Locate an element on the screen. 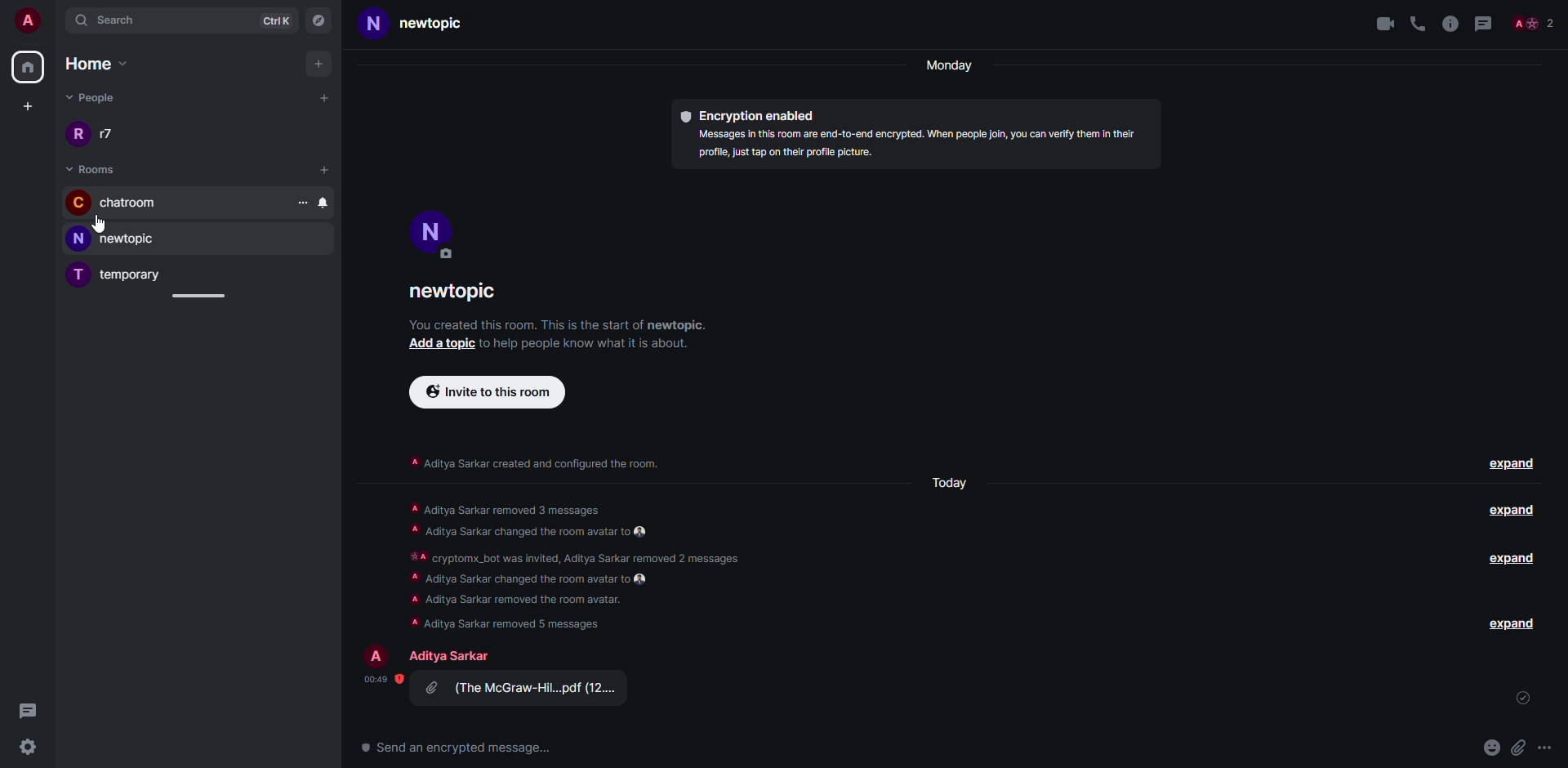 Image resolution: width=1568 pixels, height=768 pixels. invite to this room is located at coordinates (490, 391).